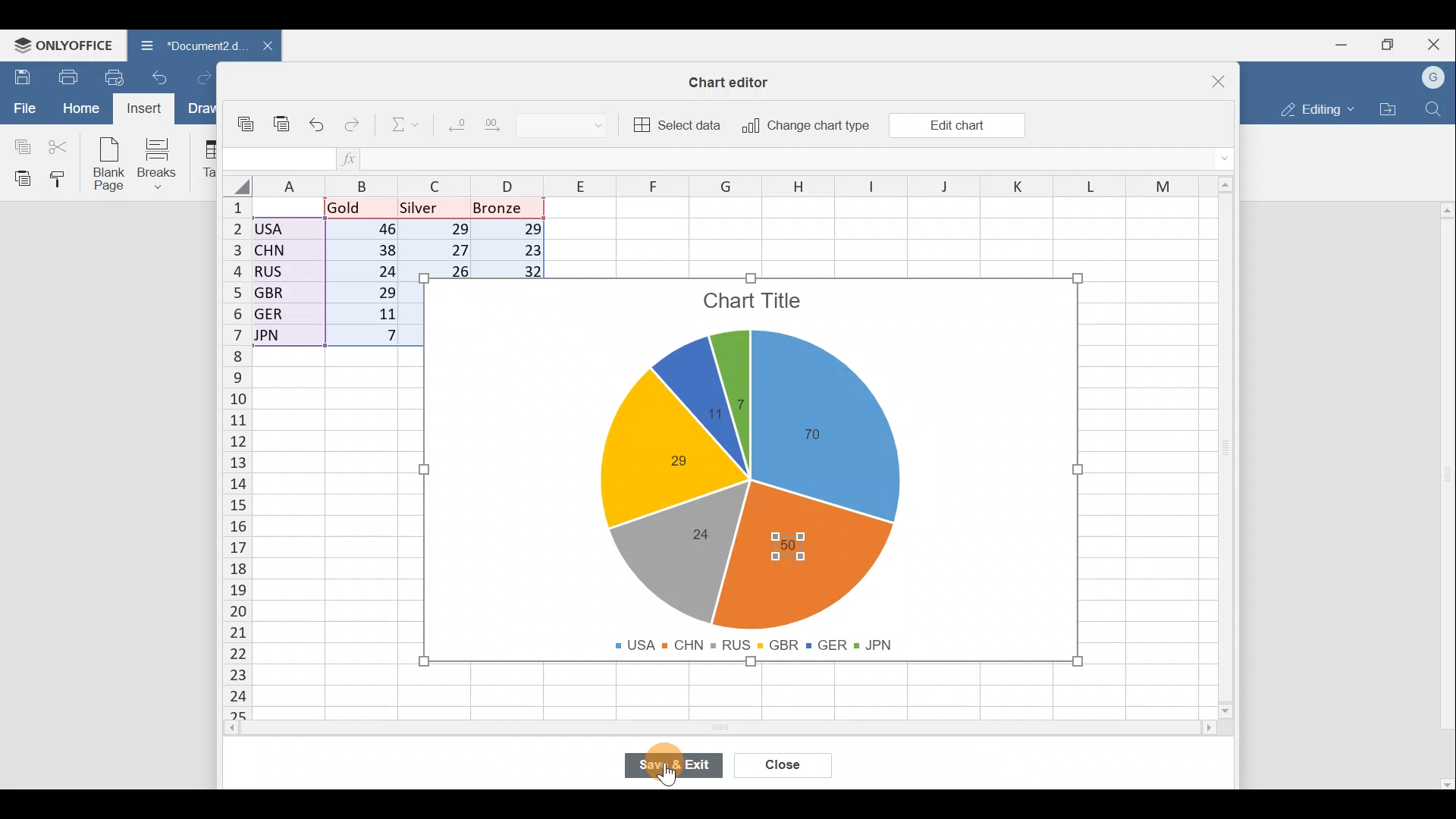 The image size is (1456, 819). What do you see at coordinates (708, 419) in the screenshot?
I see `Chart label` at bounding box center [708, 419].